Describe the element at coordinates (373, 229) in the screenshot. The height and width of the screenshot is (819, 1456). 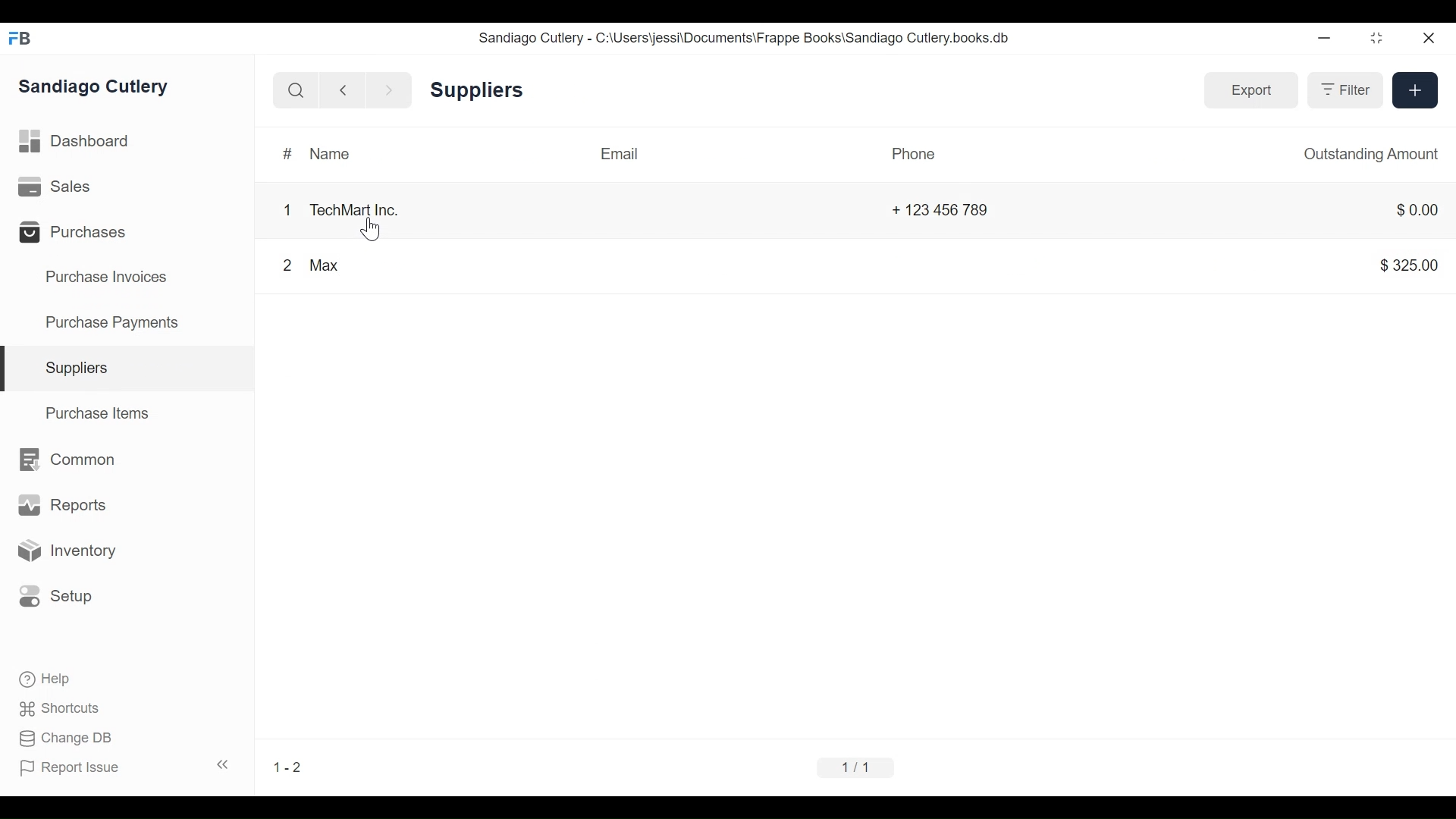
I see `cursor` at that location.